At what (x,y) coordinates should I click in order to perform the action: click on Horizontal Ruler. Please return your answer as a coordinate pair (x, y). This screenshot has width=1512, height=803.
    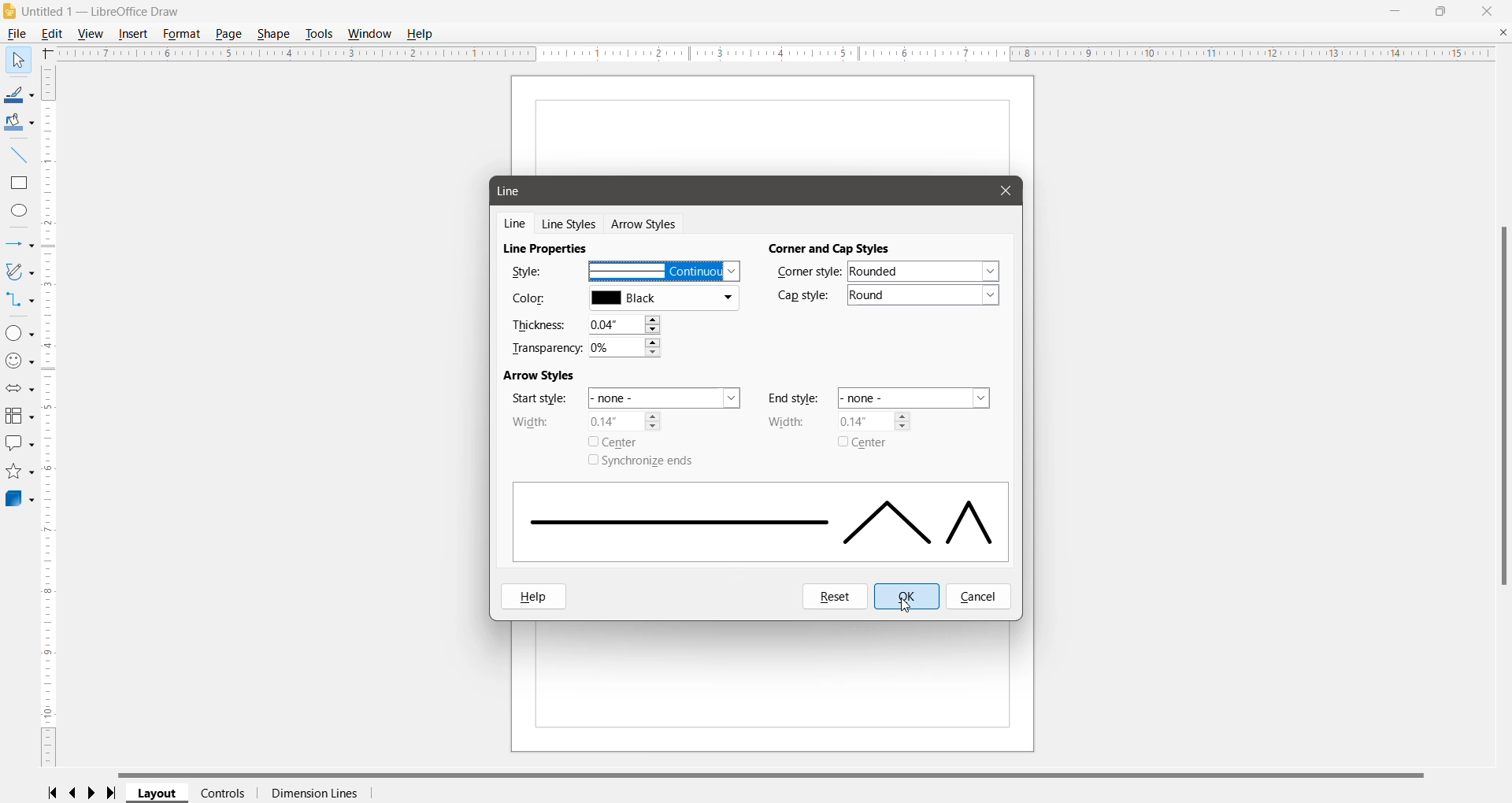
    Looking at the image, I should click on (774, 54).